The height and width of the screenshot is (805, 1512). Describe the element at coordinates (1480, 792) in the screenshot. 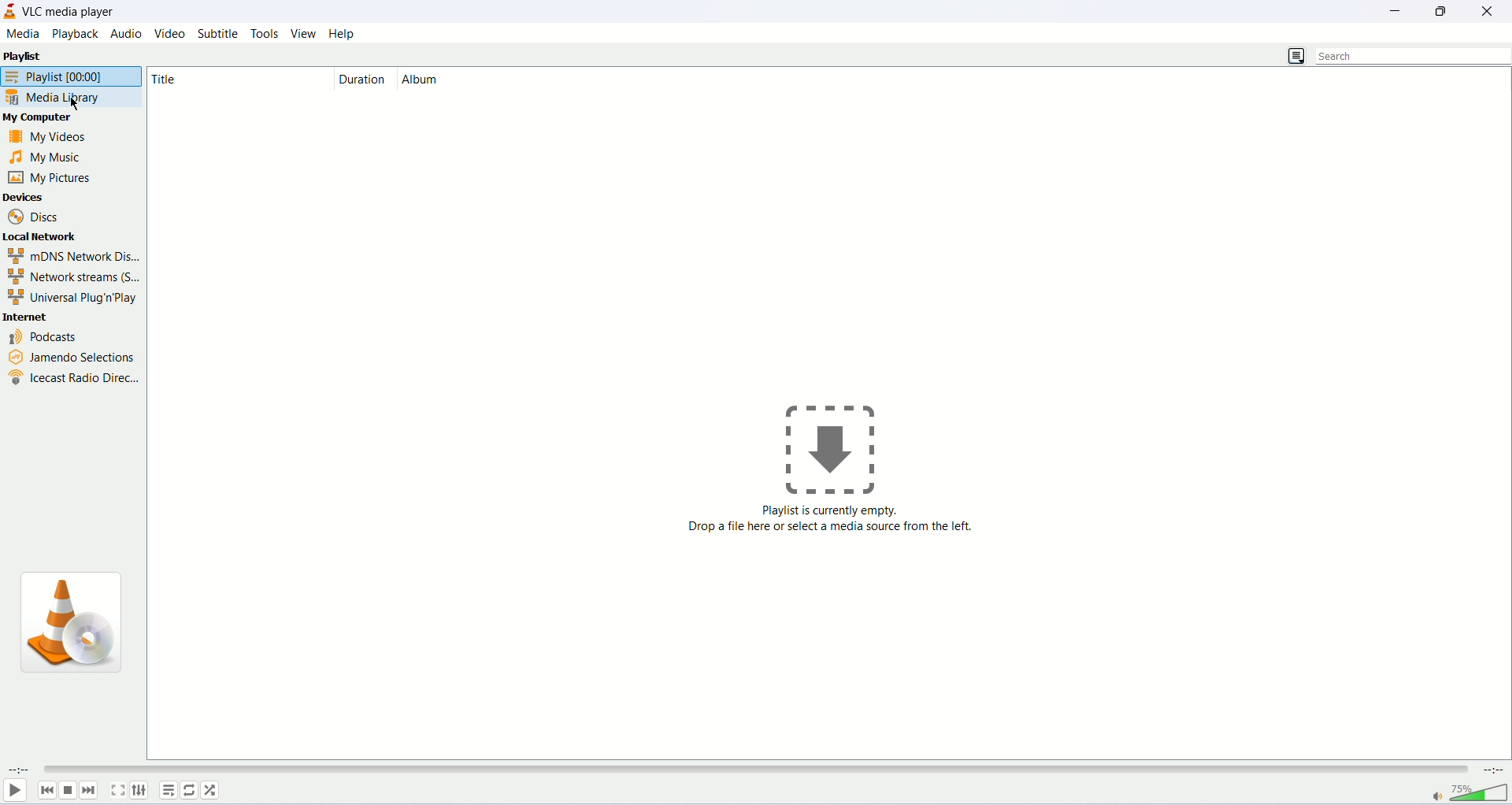

I see `volume bar` at that location.